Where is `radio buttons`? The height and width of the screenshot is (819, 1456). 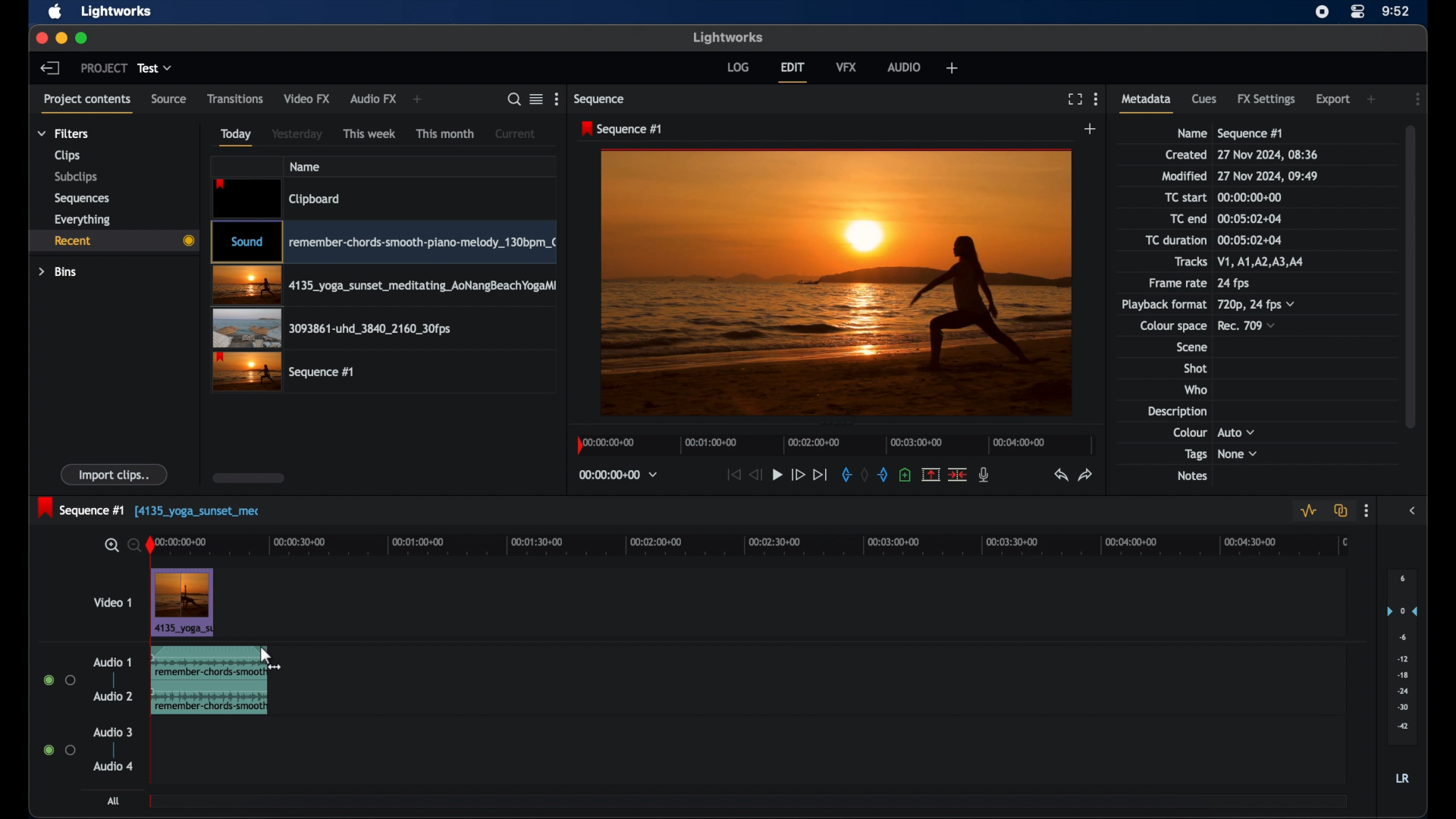 radio buttons is located at coordinates (58, 749).